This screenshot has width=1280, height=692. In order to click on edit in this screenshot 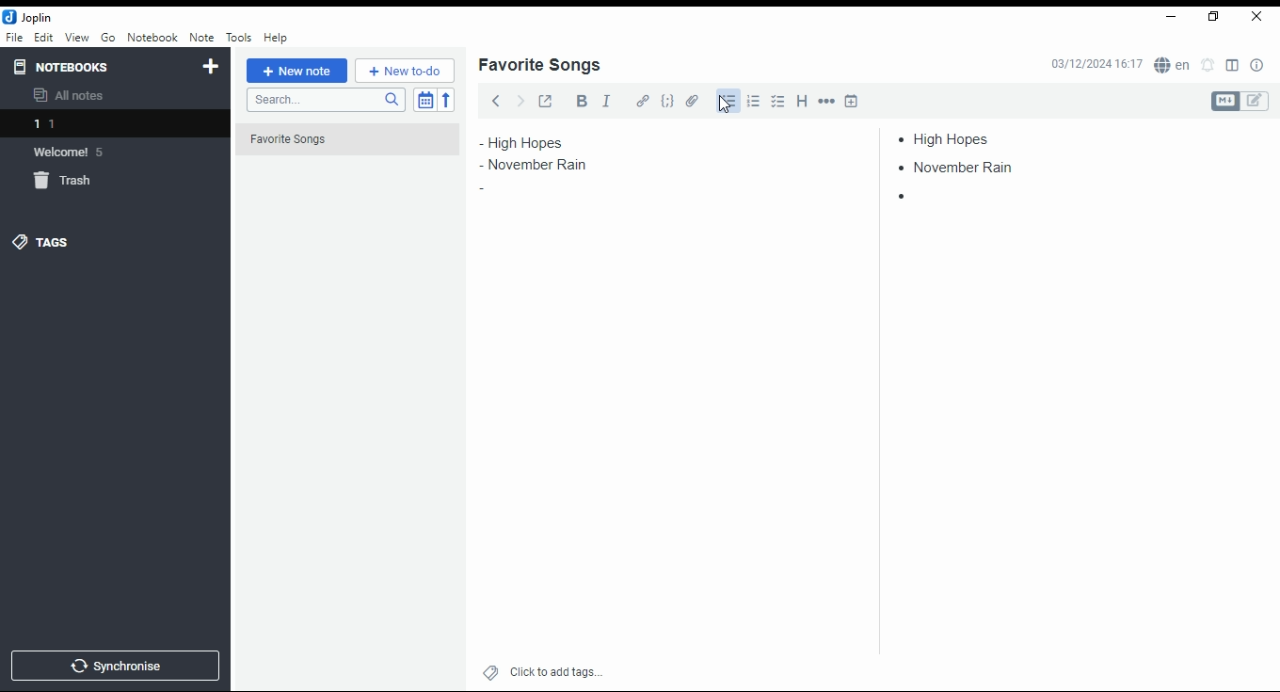, I will do `click(43, 36)`.